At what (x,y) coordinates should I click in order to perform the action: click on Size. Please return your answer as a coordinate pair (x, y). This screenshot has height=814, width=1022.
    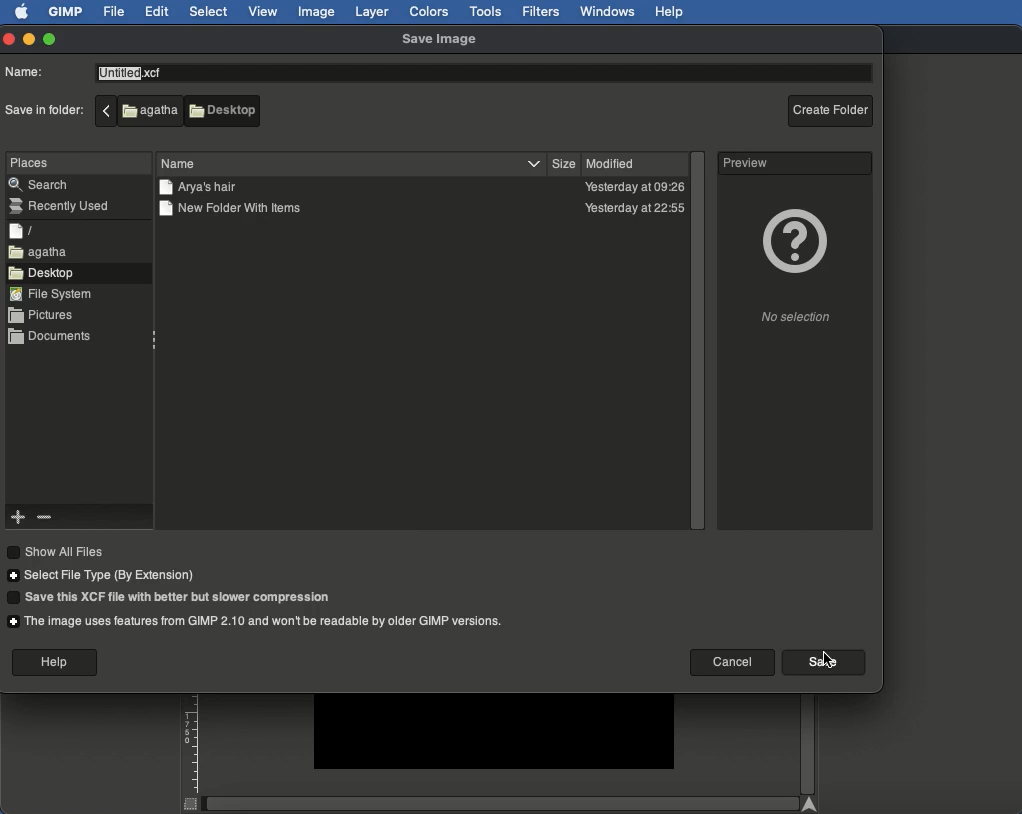
    Looking at the image, I should click on (564, 163).